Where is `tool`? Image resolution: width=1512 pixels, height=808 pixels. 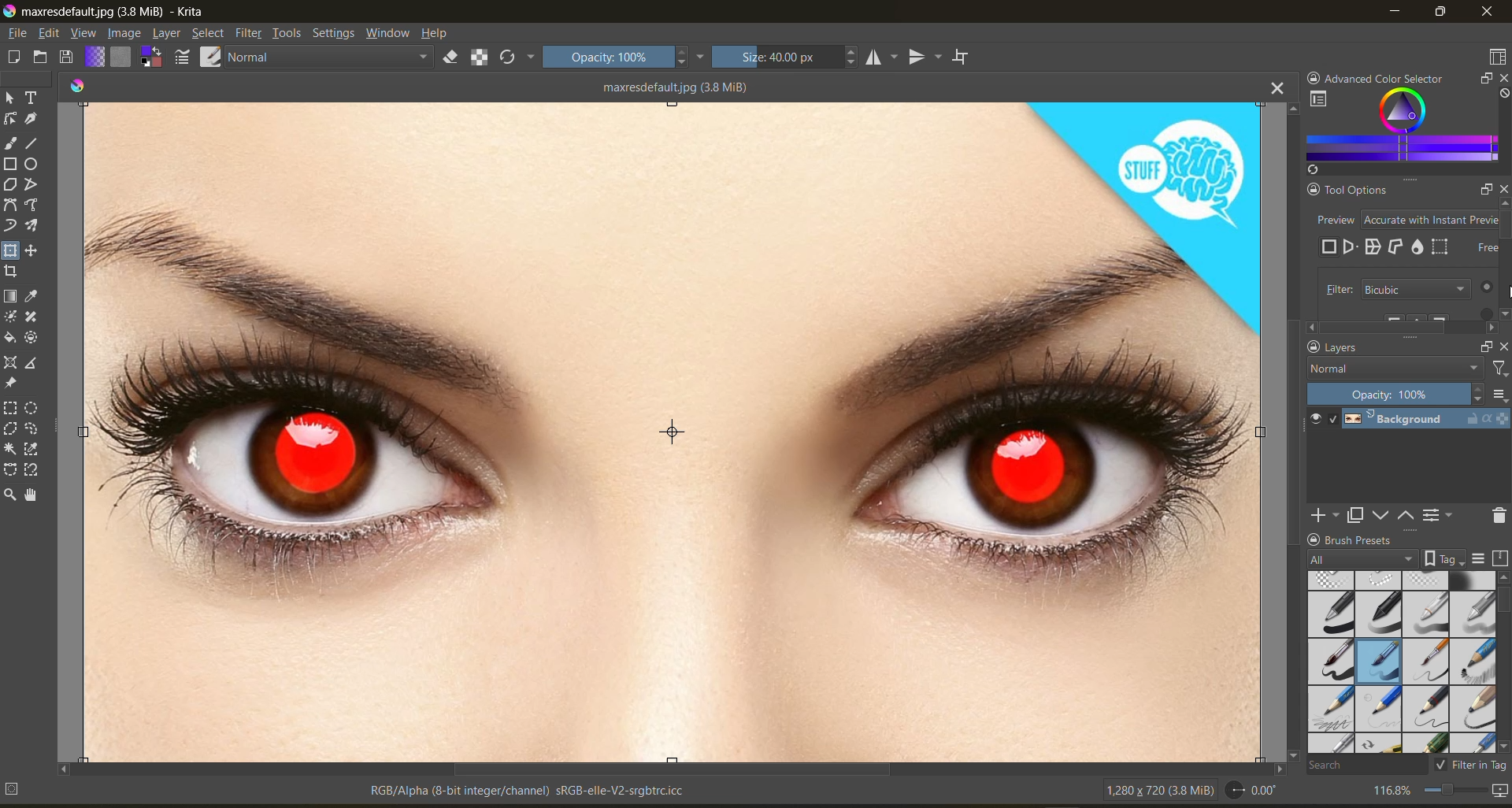
tool is located at coordinates (33, 297).